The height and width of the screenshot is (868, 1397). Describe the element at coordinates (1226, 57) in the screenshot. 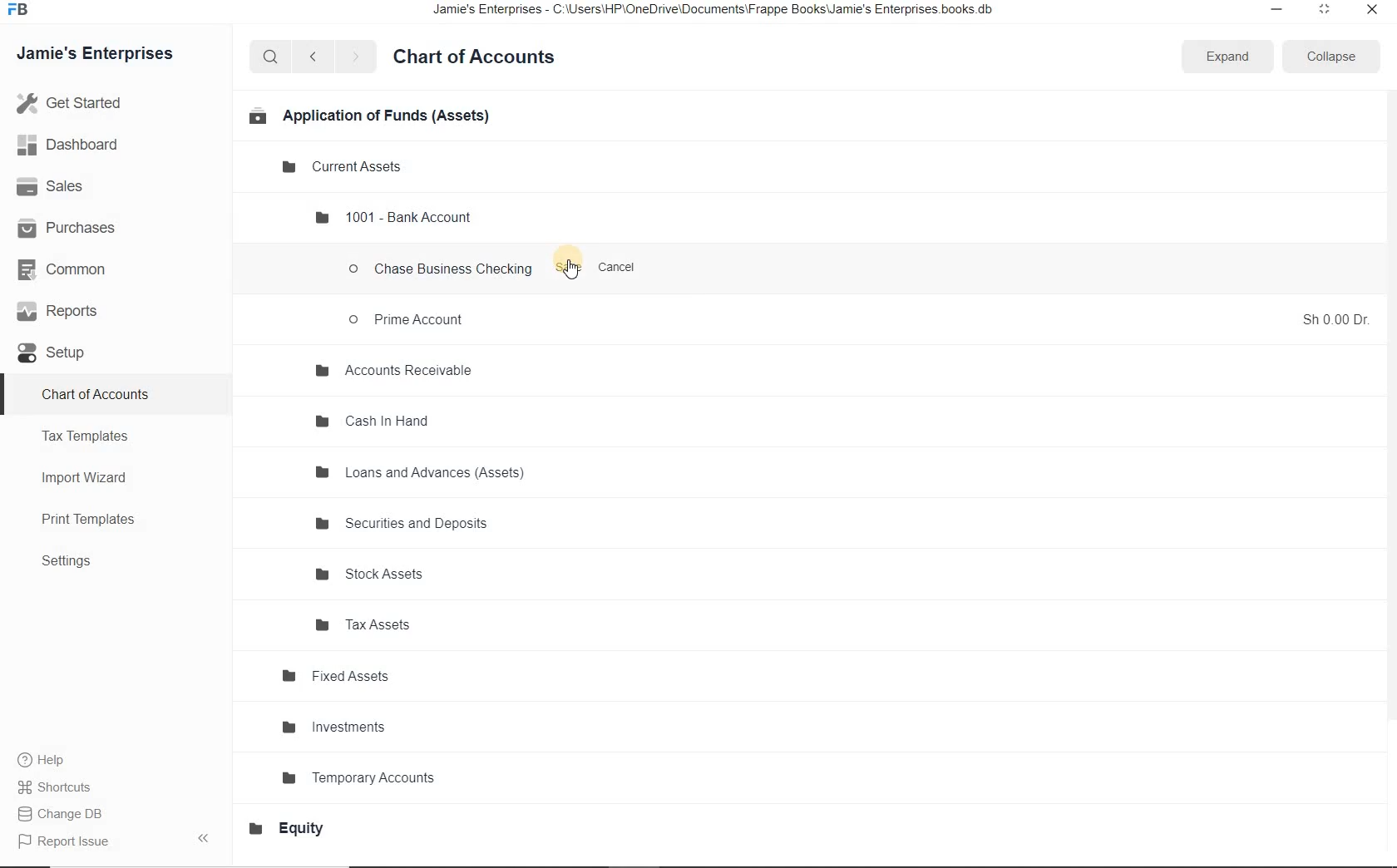

I see `expand` at that location.